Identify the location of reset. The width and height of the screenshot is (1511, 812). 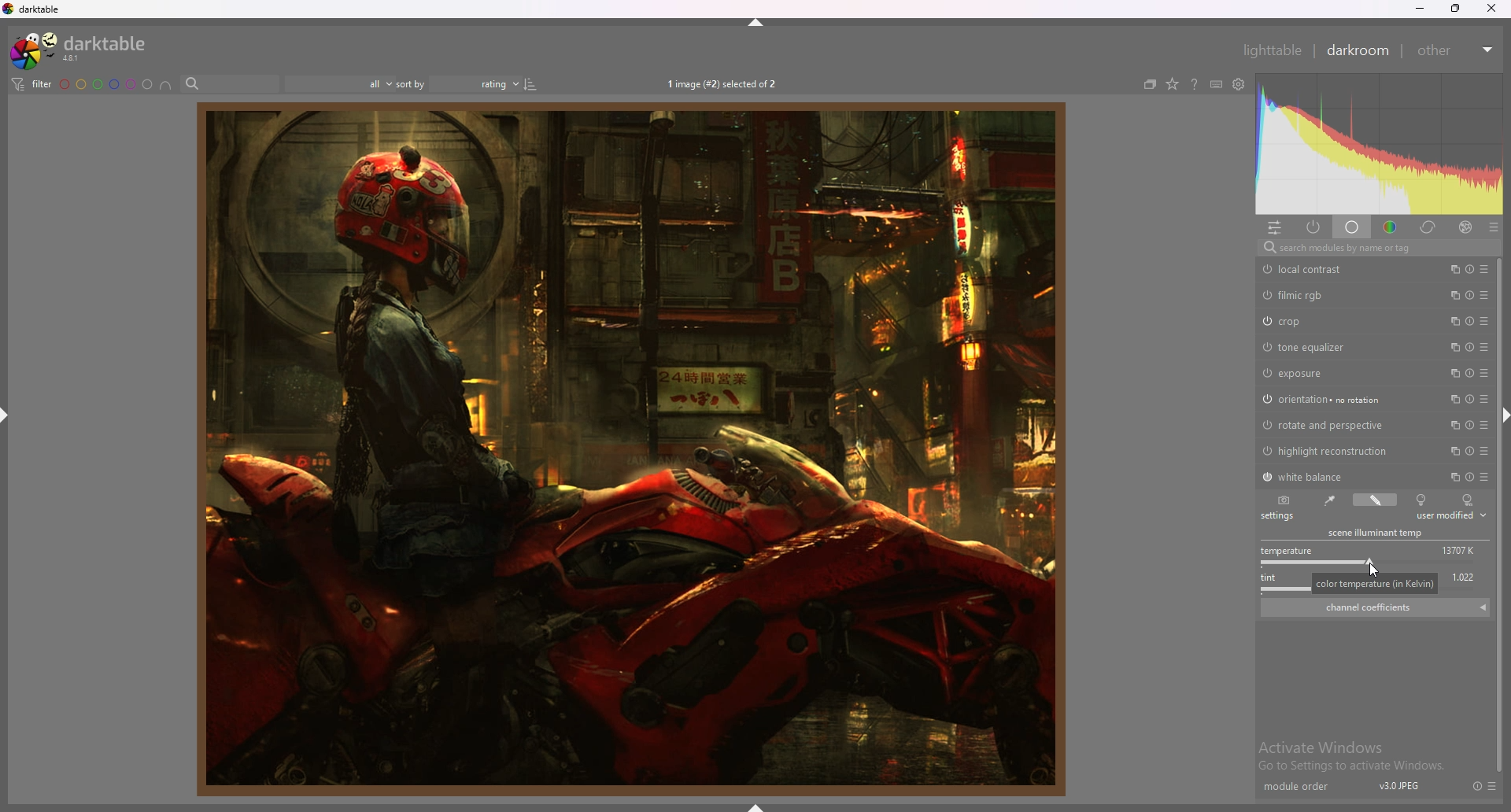
(1469, 477).